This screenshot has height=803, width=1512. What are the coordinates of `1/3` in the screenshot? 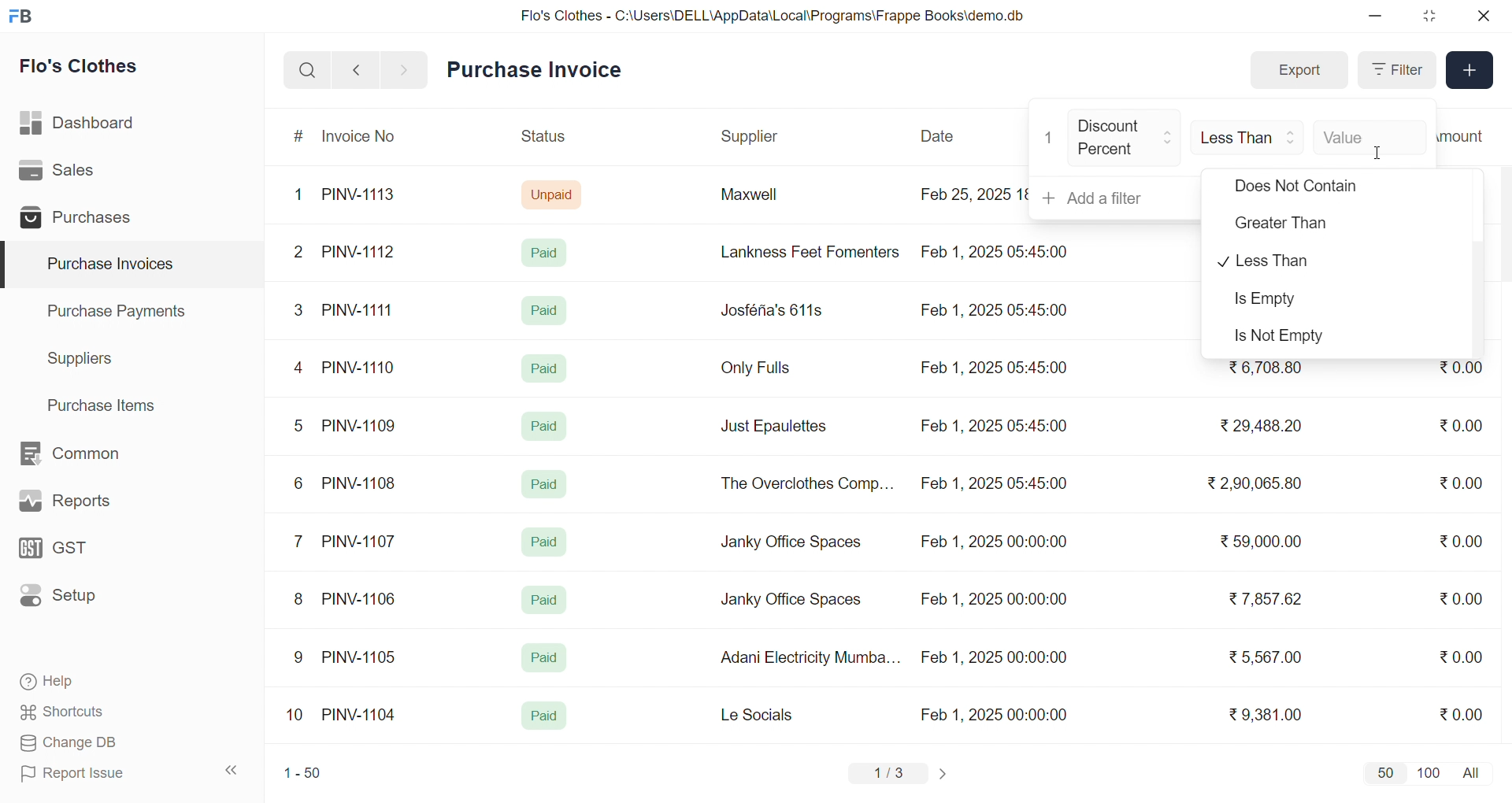 It's located at (889, 775).